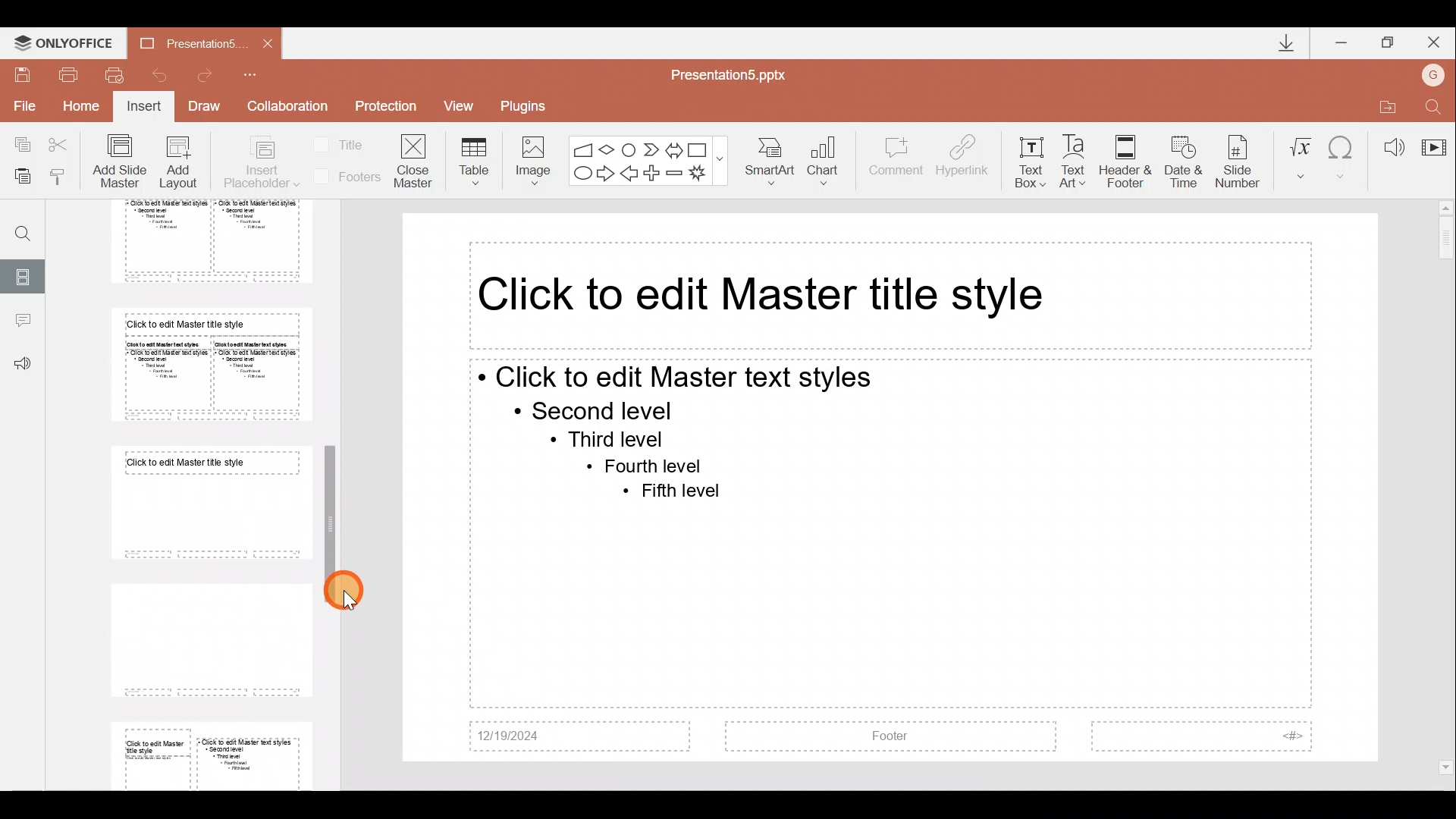 The height and width of the screenshot is (819, 1456). Describe the element at coordinates (181, 42) in the screenshot. I see `Document name` at that location.